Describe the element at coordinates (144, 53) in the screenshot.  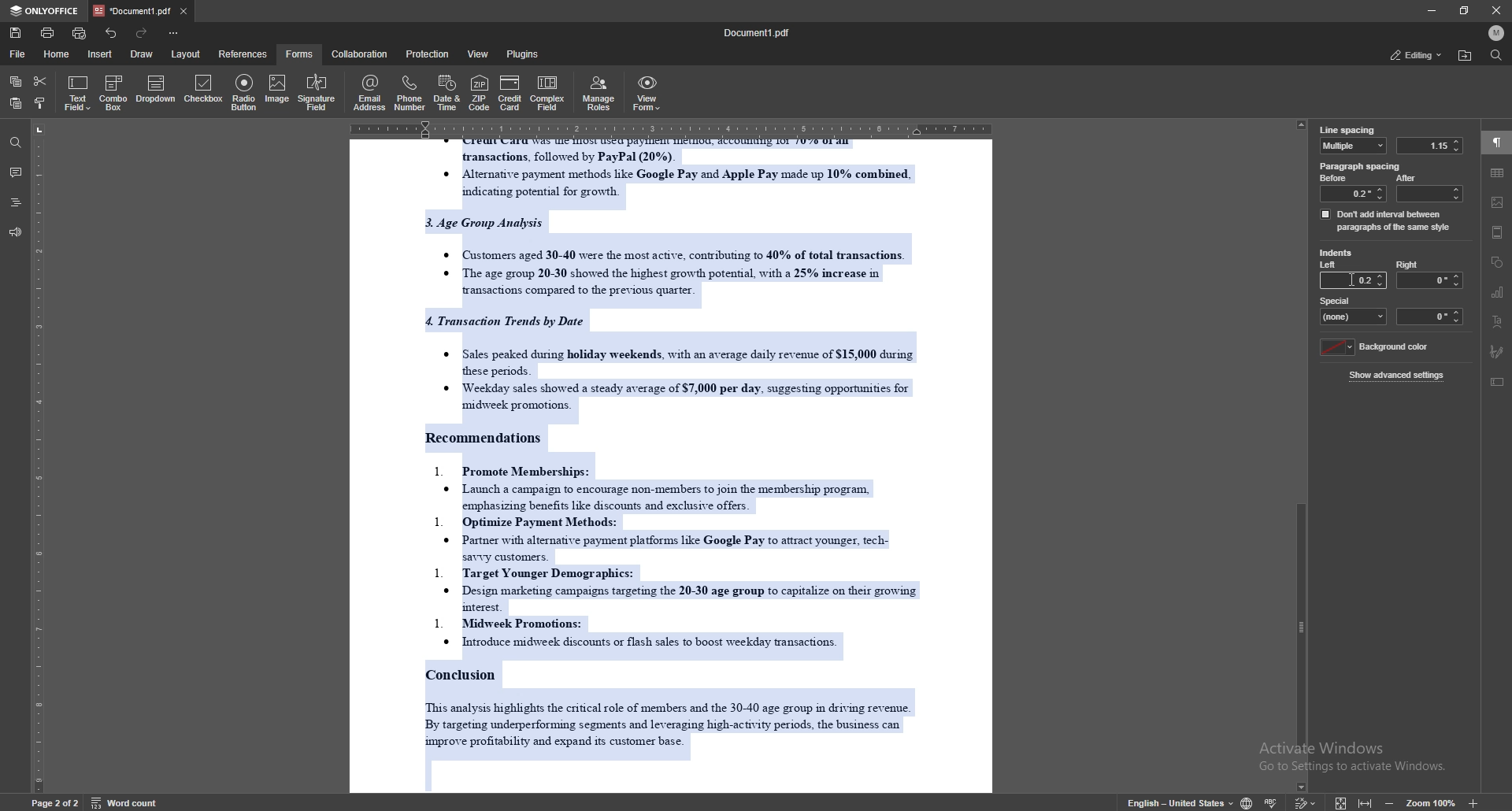
I see `draw` at that location.